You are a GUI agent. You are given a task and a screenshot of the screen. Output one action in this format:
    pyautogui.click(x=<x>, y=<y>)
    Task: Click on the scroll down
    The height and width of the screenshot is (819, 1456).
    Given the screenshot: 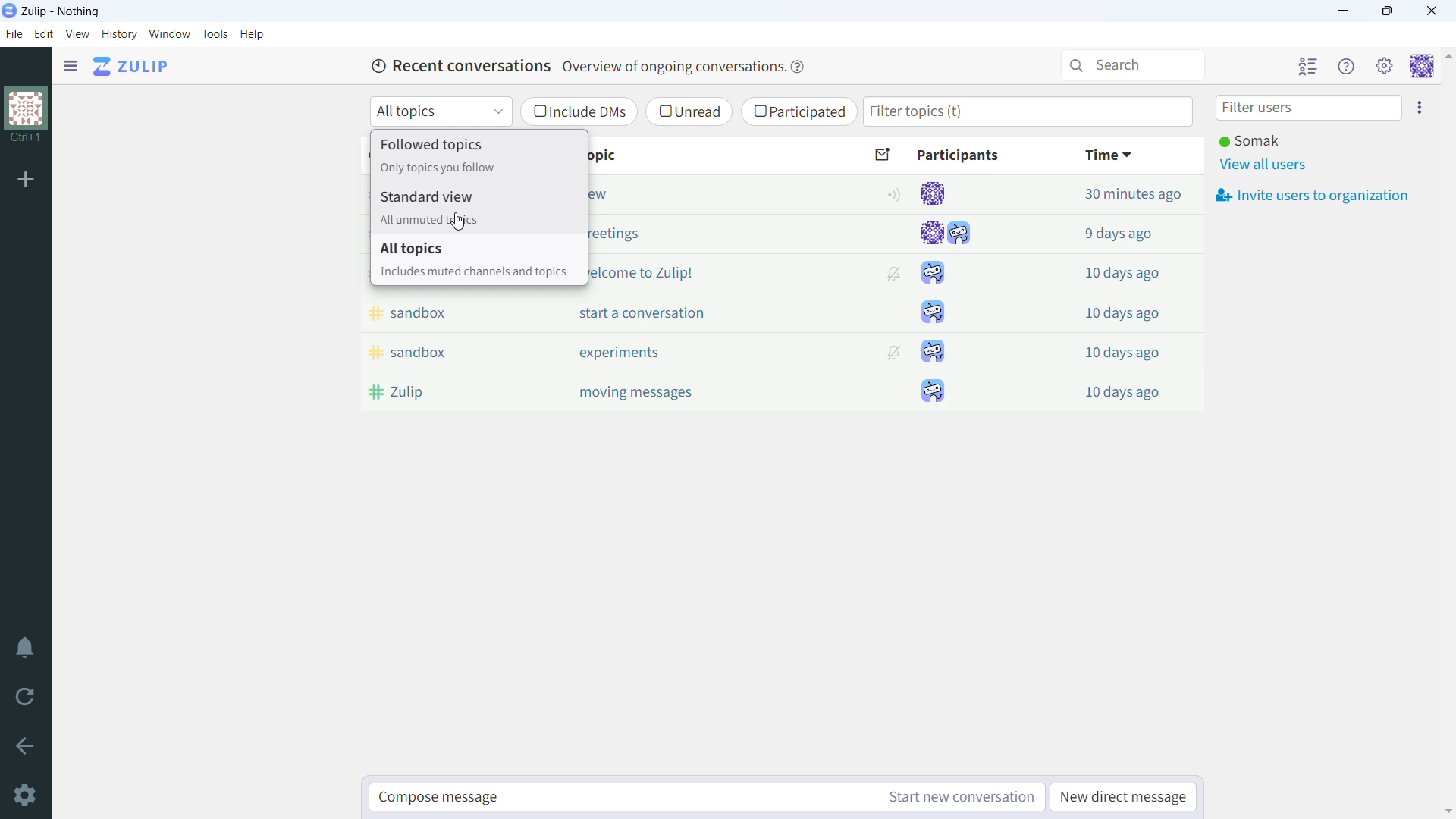 What is the action you would take?
    pyautogui.click(x=1447, y=811)
    